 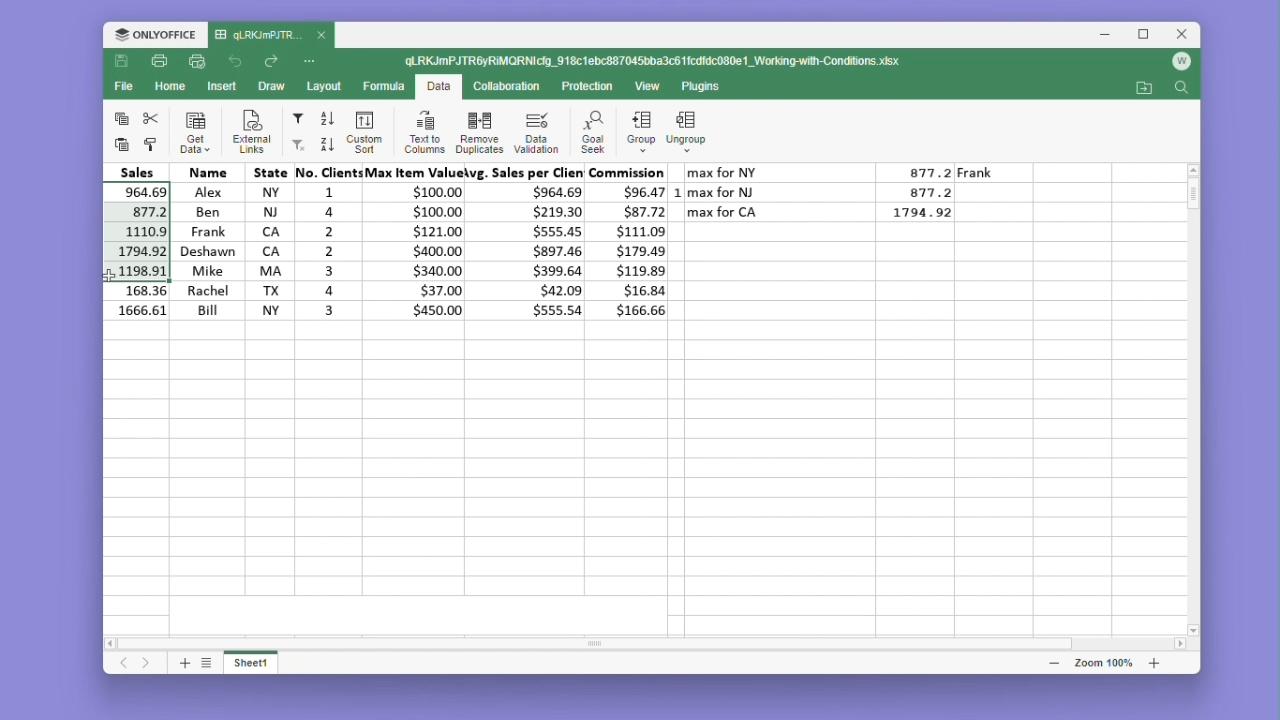 What do you see at coordinates (312, 60) in the screenshot?
I see `More options` at bounding box center [312, 60].